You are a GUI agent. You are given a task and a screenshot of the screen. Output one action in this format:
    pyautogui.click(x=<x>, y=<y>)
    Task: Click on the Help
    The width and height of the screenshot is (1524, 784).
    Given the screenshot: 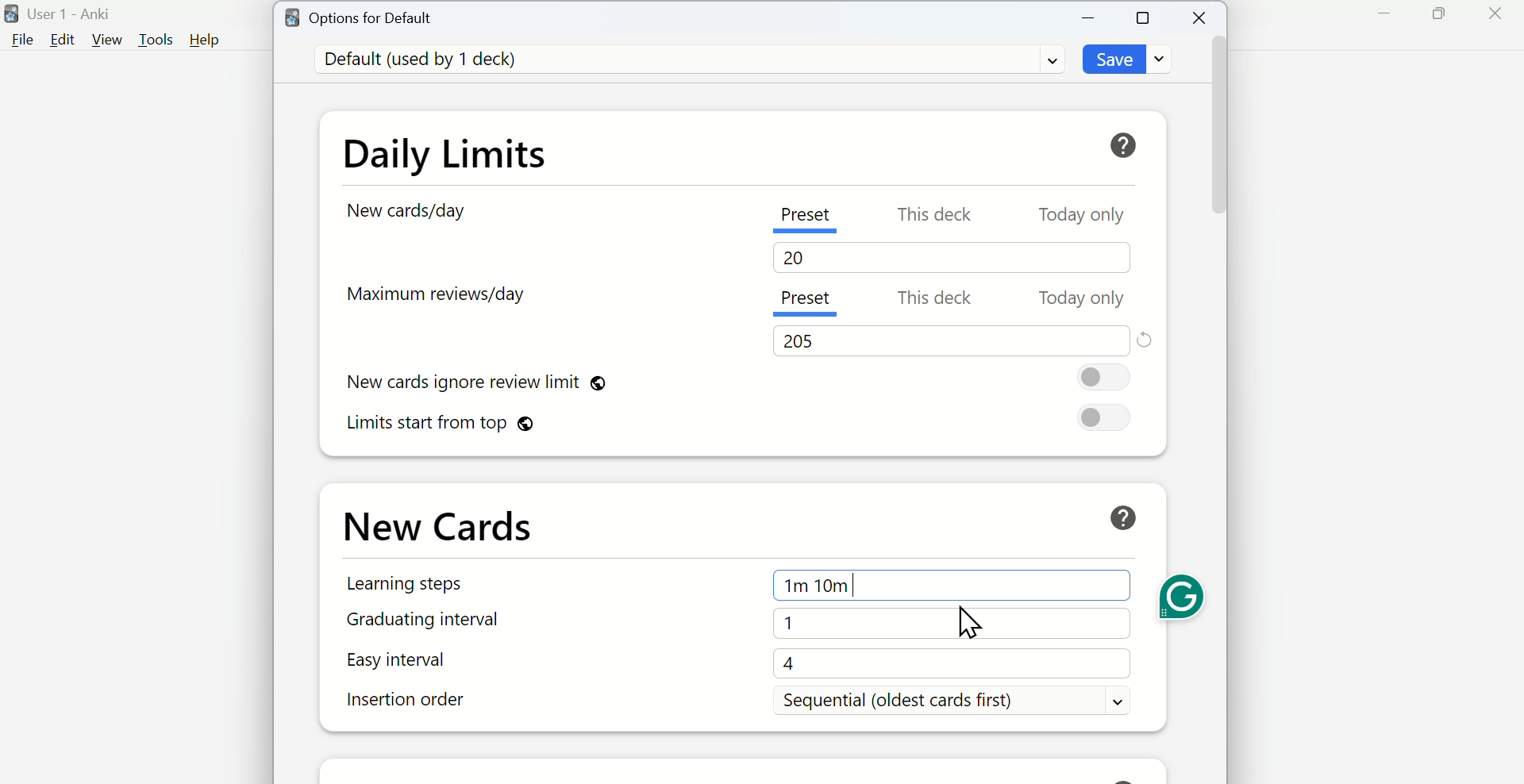 What is the action you would take?
    pyautogui.click(x=1130, y=141)
    